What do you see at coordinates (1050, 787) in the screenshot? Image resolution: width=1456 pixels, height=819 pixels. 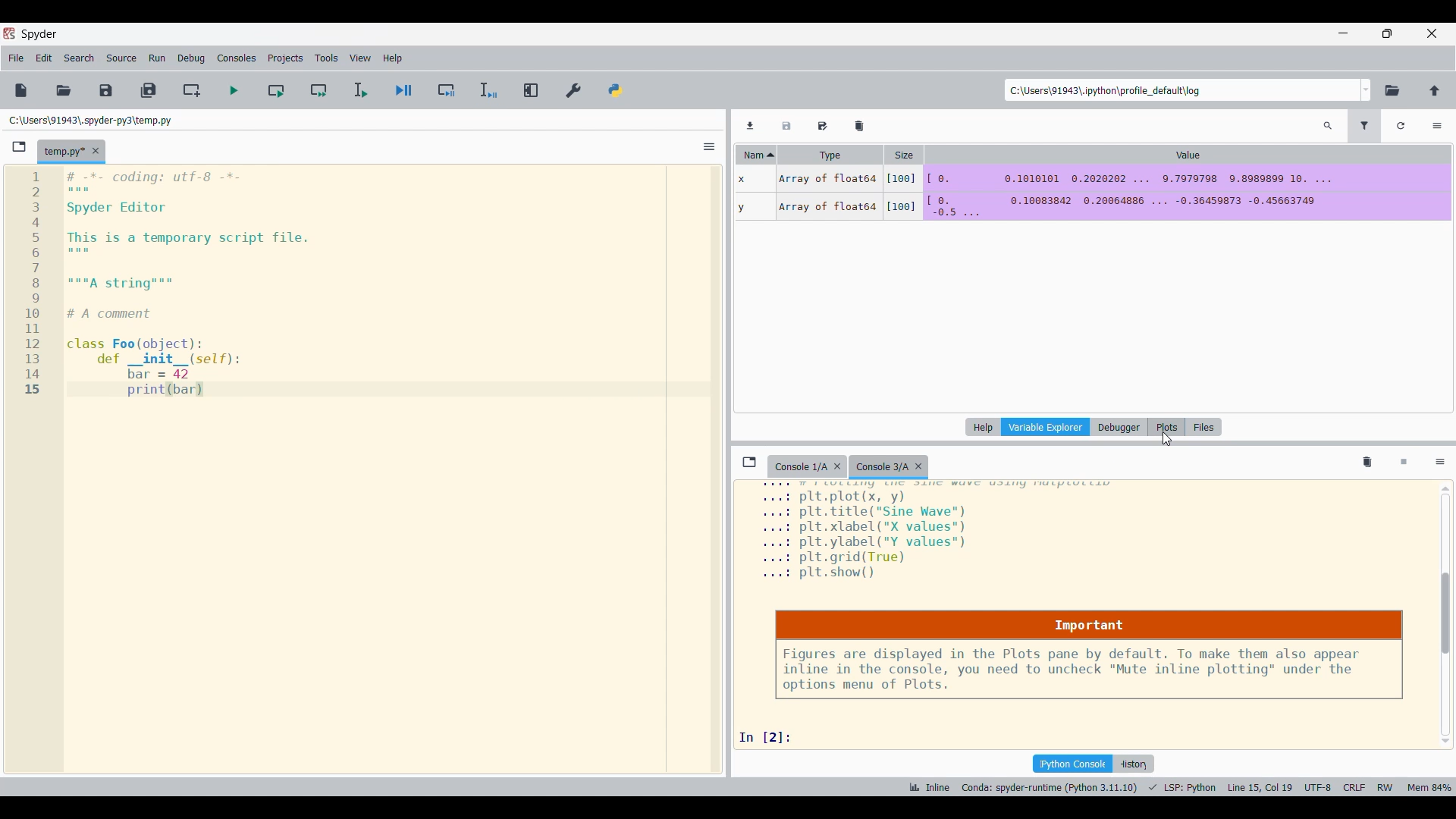 I see `INTERPRETER` at bounding box center [1050, 787].